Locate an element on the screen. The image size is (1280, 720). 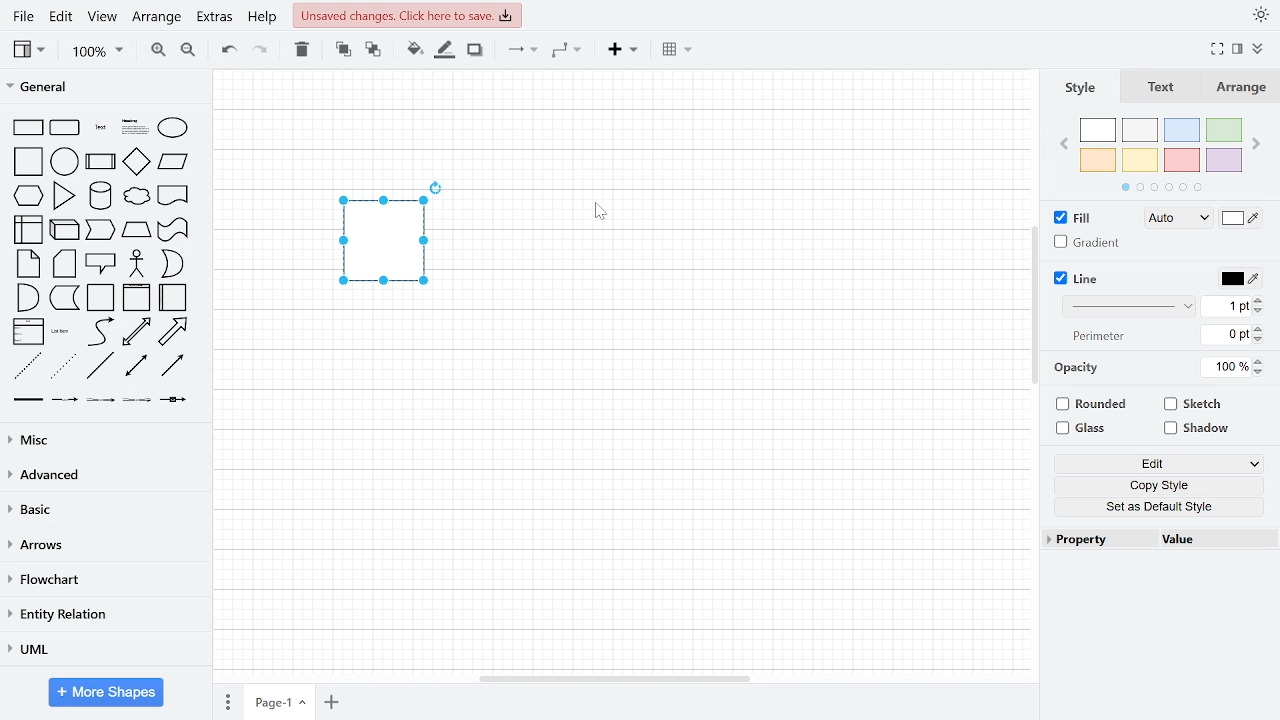
text is located at coordinates (100, 127).